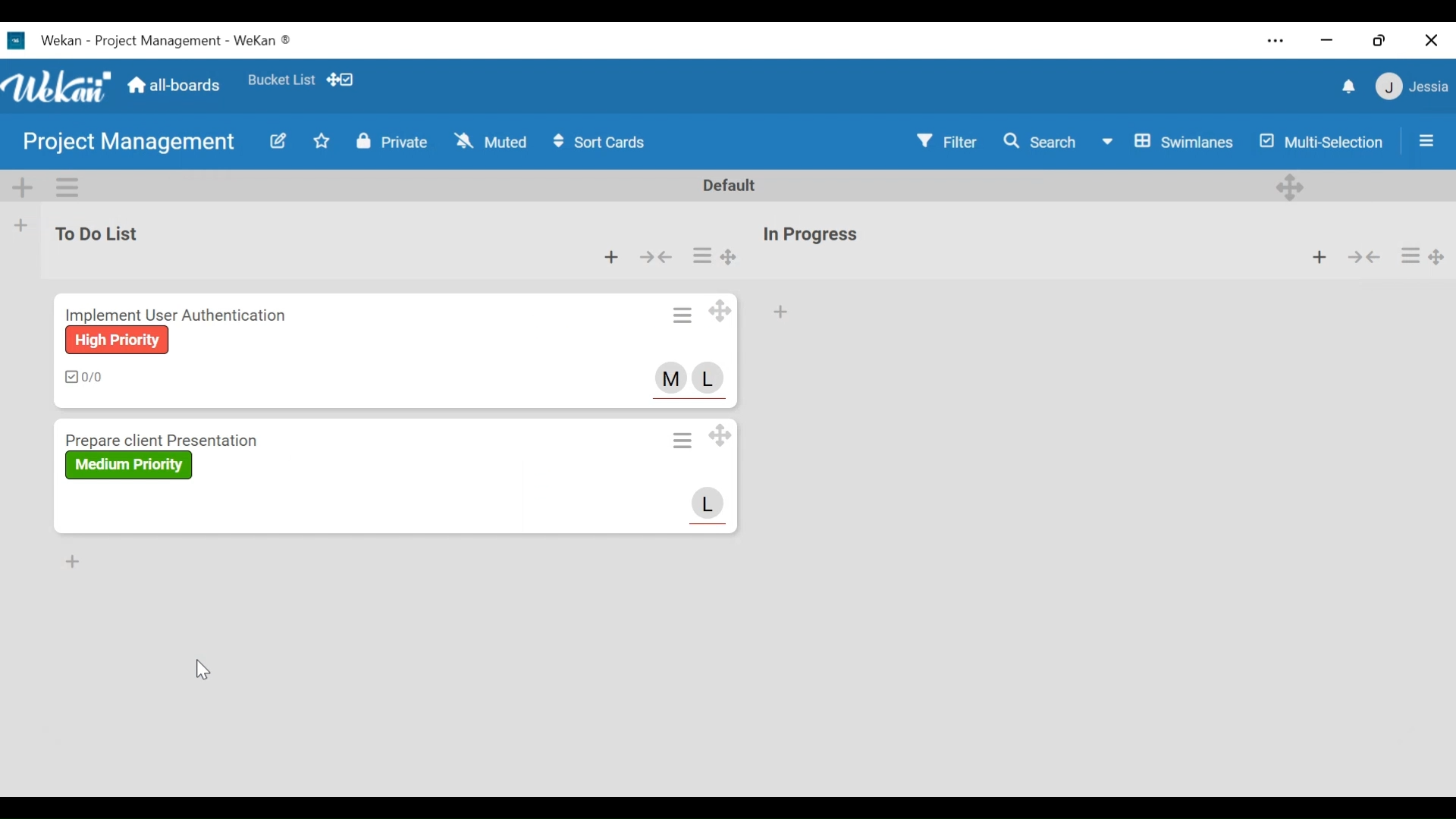 The width and height of the screenshot is (1456, 819). Describe the element at coordinates (702, 255) in the screenshot. I see `card actions` at that location.